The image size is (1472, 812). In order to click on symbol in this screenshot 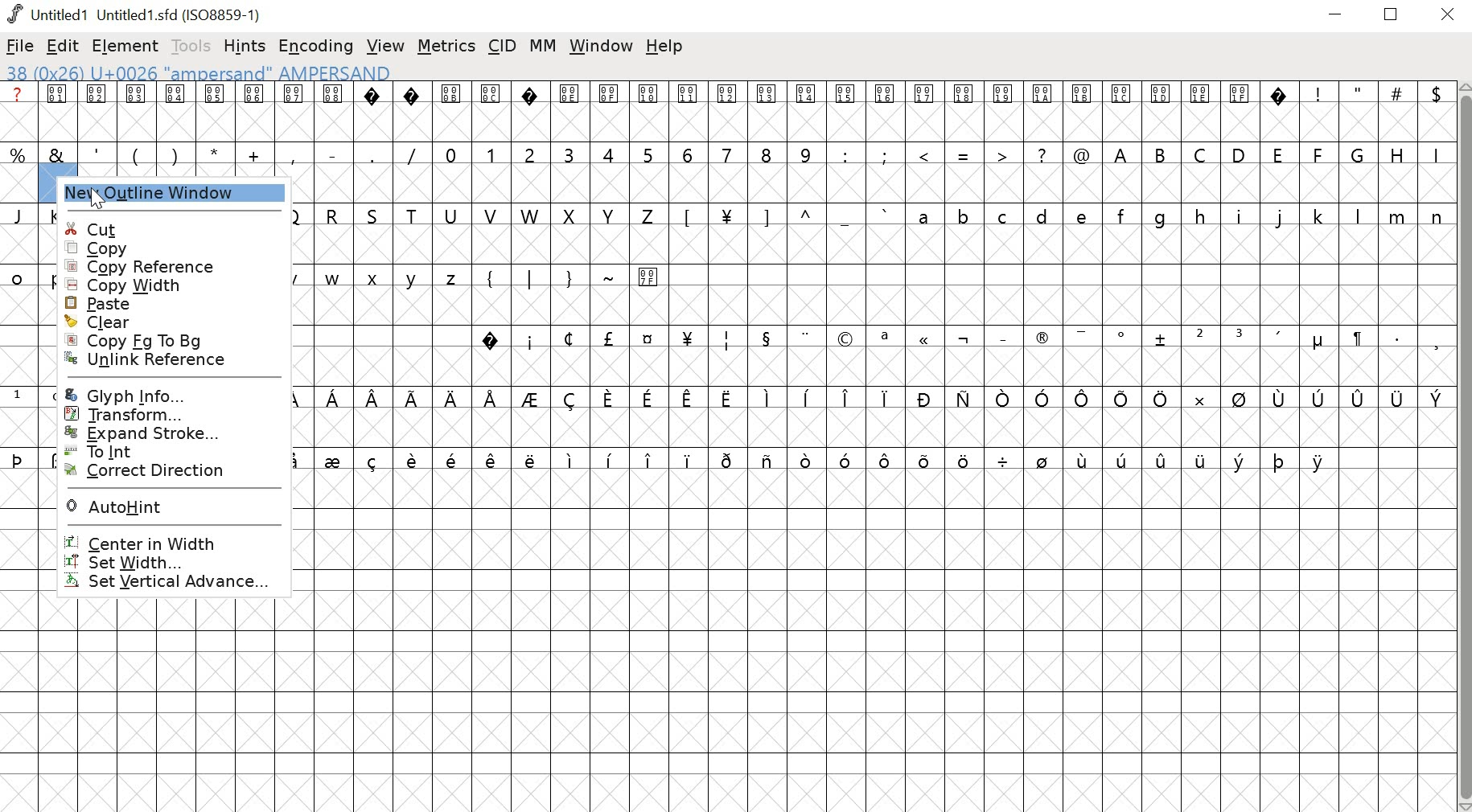, I will do `click(688, 337)`.